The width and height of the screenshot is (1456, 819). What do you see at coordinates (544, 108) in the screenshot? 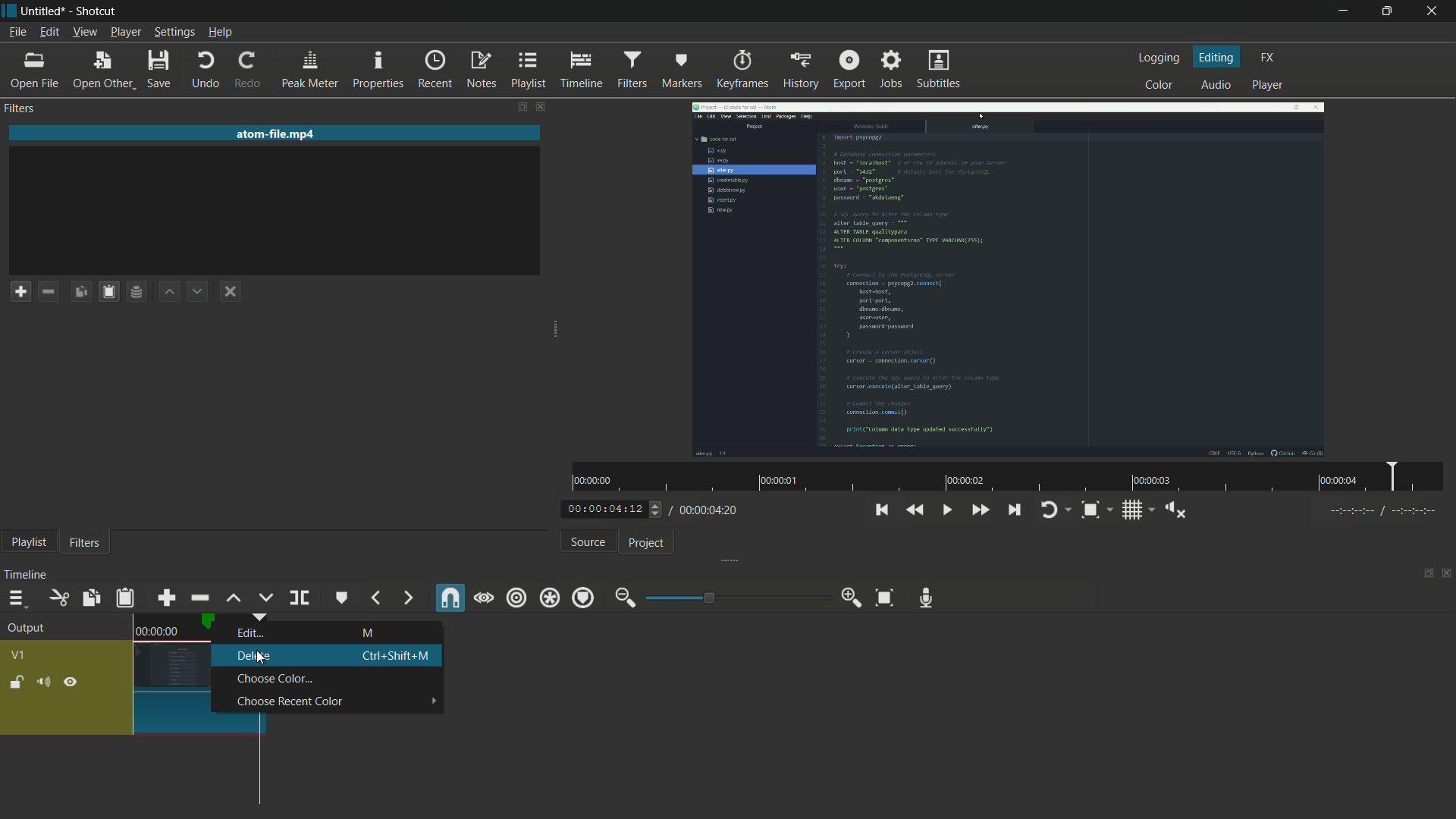
I see `close filter` at bounding box center [544, 108].